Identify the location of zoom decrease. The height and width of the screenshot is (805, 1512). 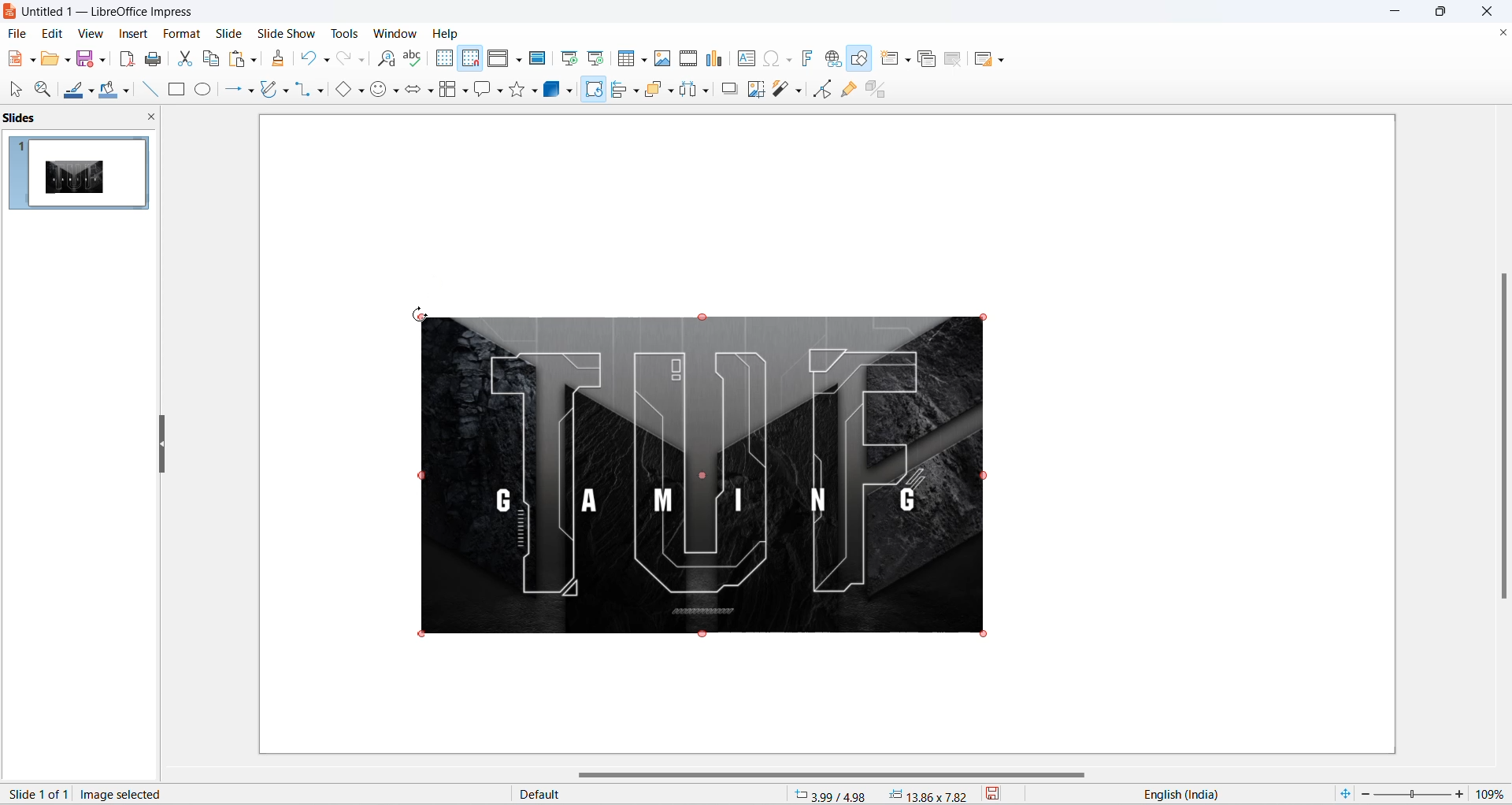
(1363, 796).